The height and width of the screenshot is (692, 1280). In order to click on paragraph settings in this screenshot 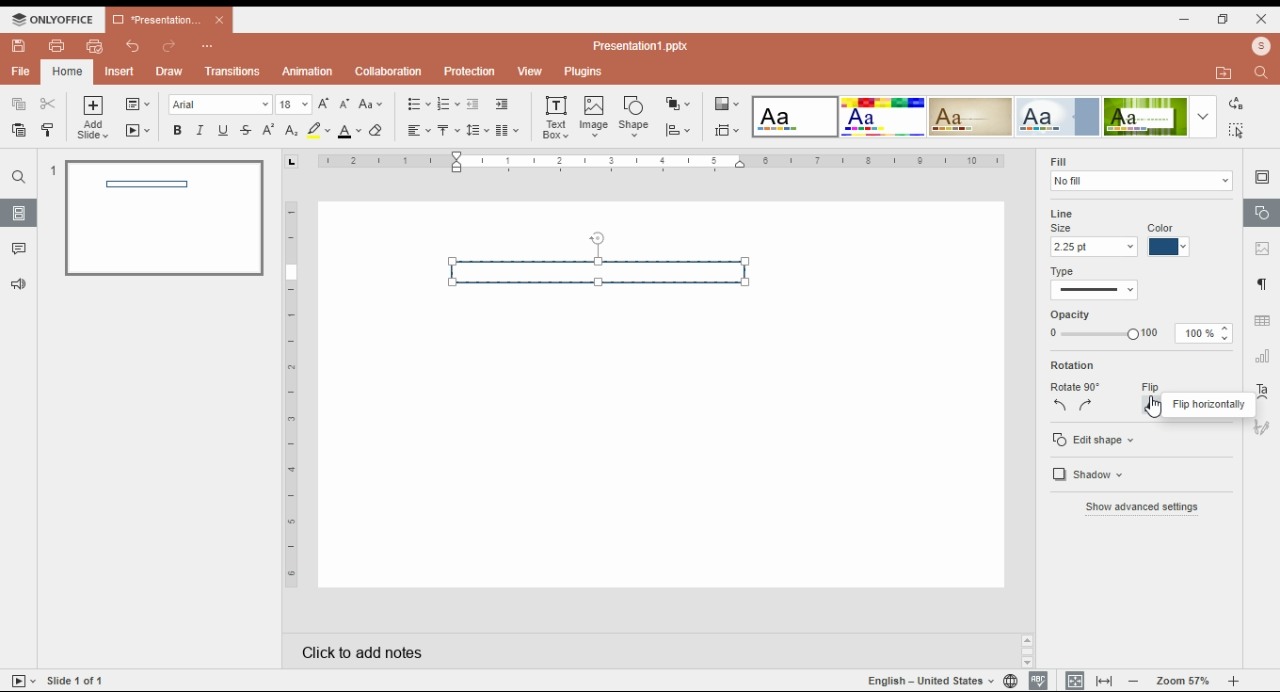, I will do `click(1261, 285)`.